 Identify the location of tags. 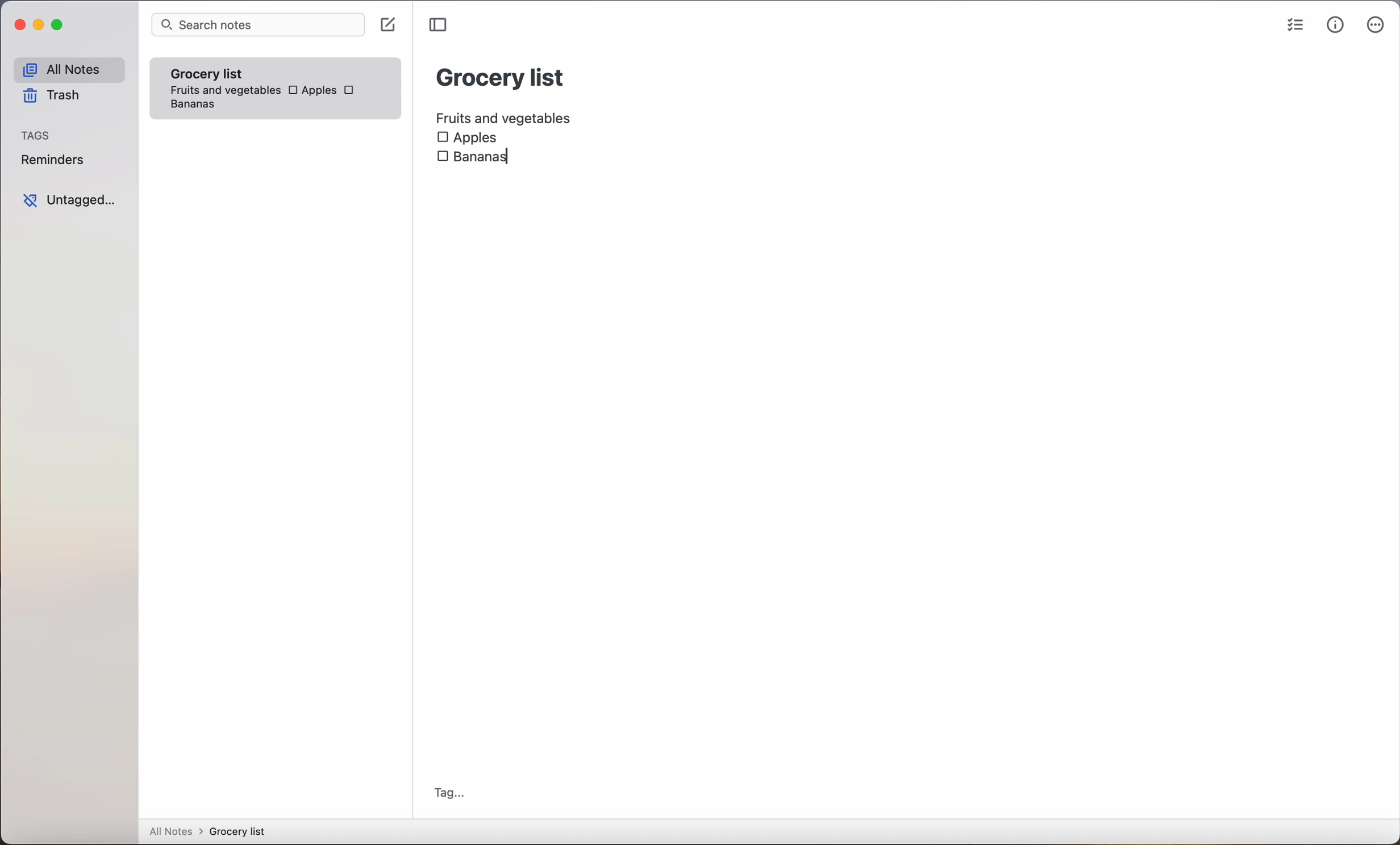
(37, 136).